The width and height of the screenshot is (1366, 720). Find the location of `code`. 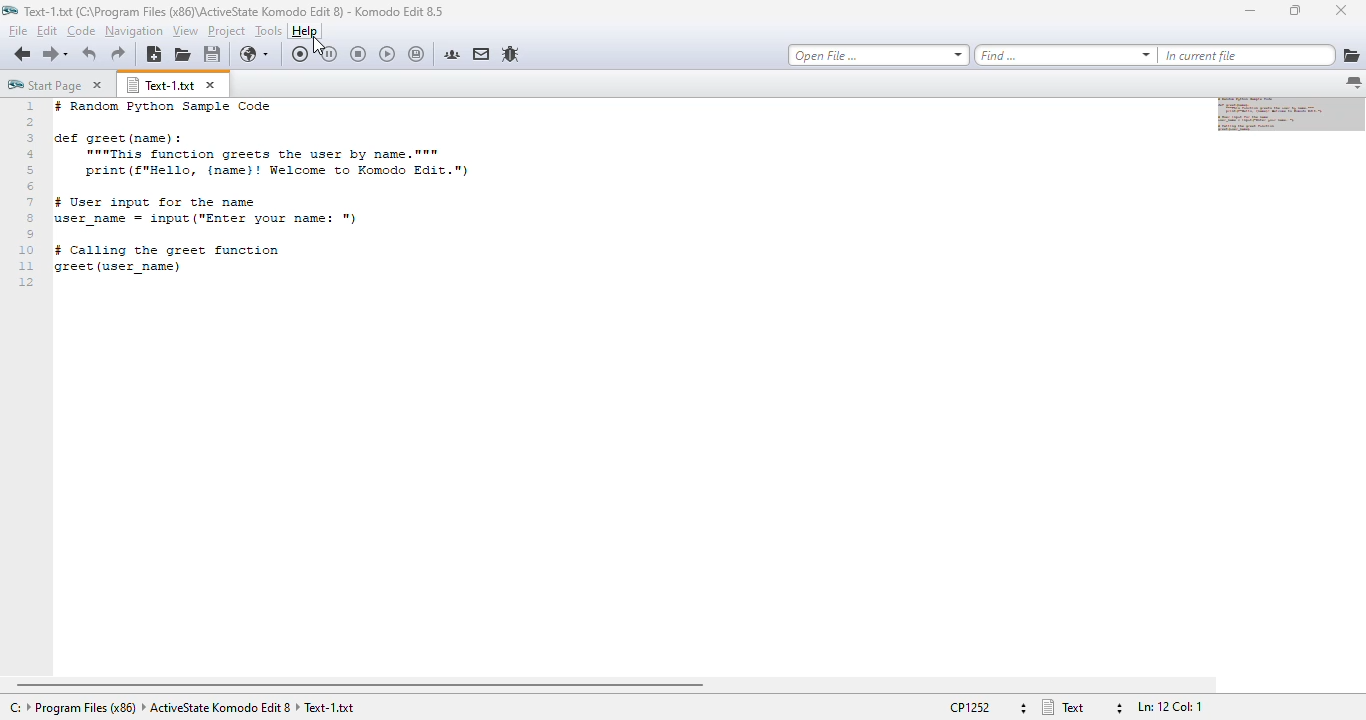

code is located at coordinates (81, 31).